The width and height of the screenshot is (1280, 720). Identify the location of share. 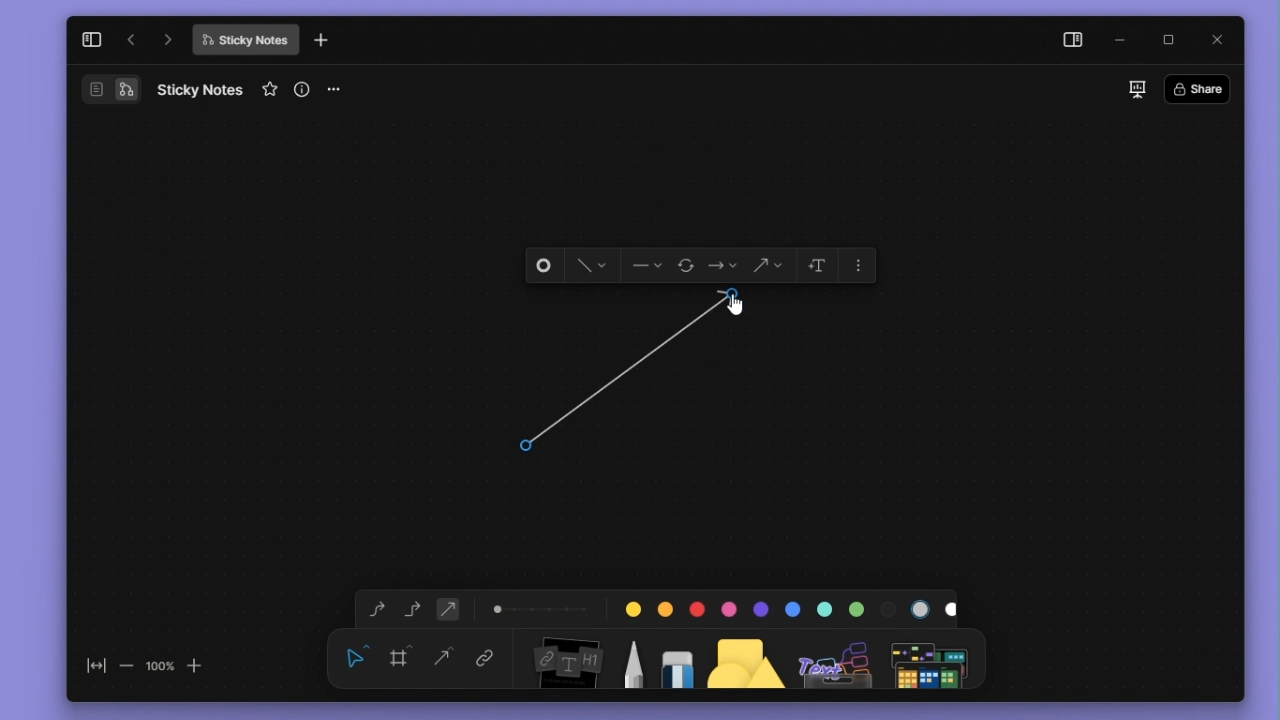
(1203, 88).